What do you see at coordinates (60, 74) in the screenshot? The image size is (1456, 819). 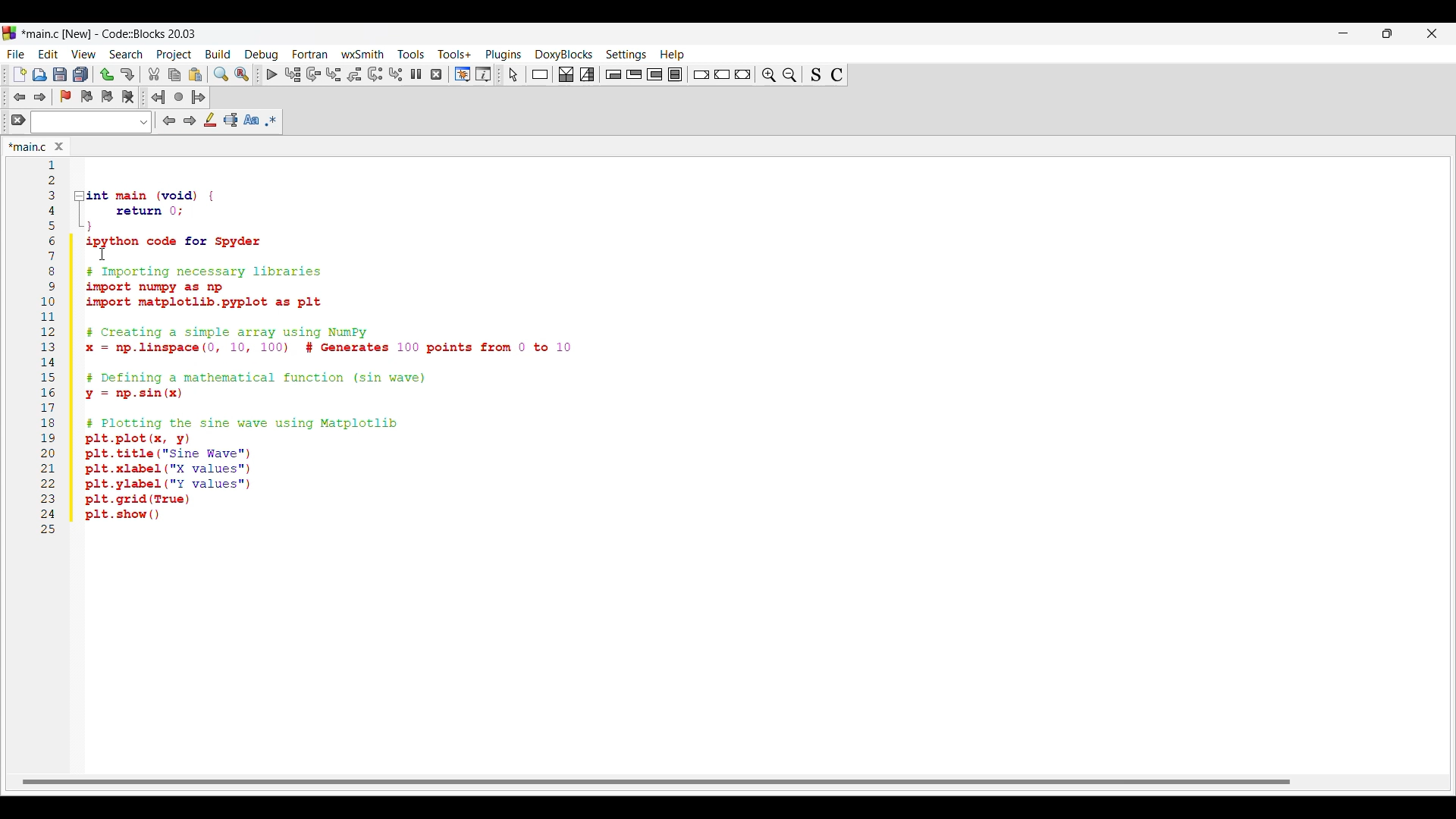 I see `Save` at bounding box center [60, 74].